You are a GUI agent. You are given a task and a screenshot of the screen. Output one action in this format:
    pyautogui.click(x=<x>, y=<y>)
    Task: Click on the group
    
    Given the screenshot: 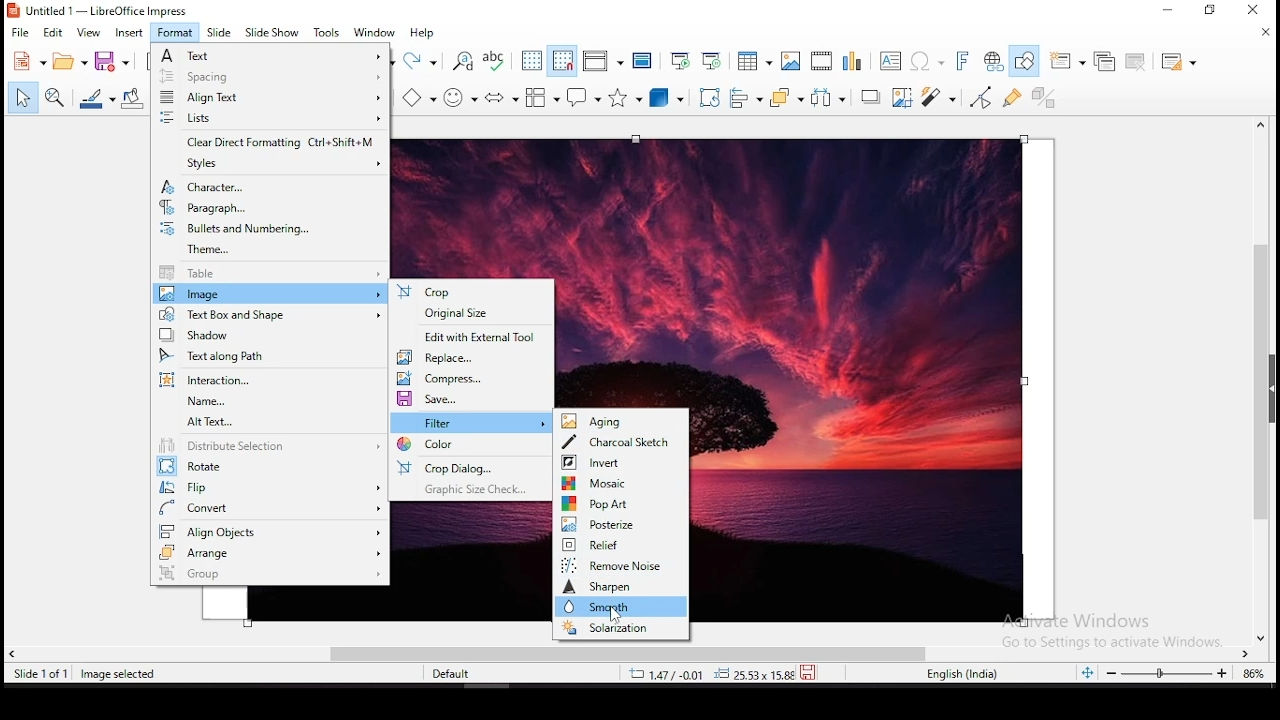 What is the action you would take?
    pyautogui.click(x=272, y=575)
    